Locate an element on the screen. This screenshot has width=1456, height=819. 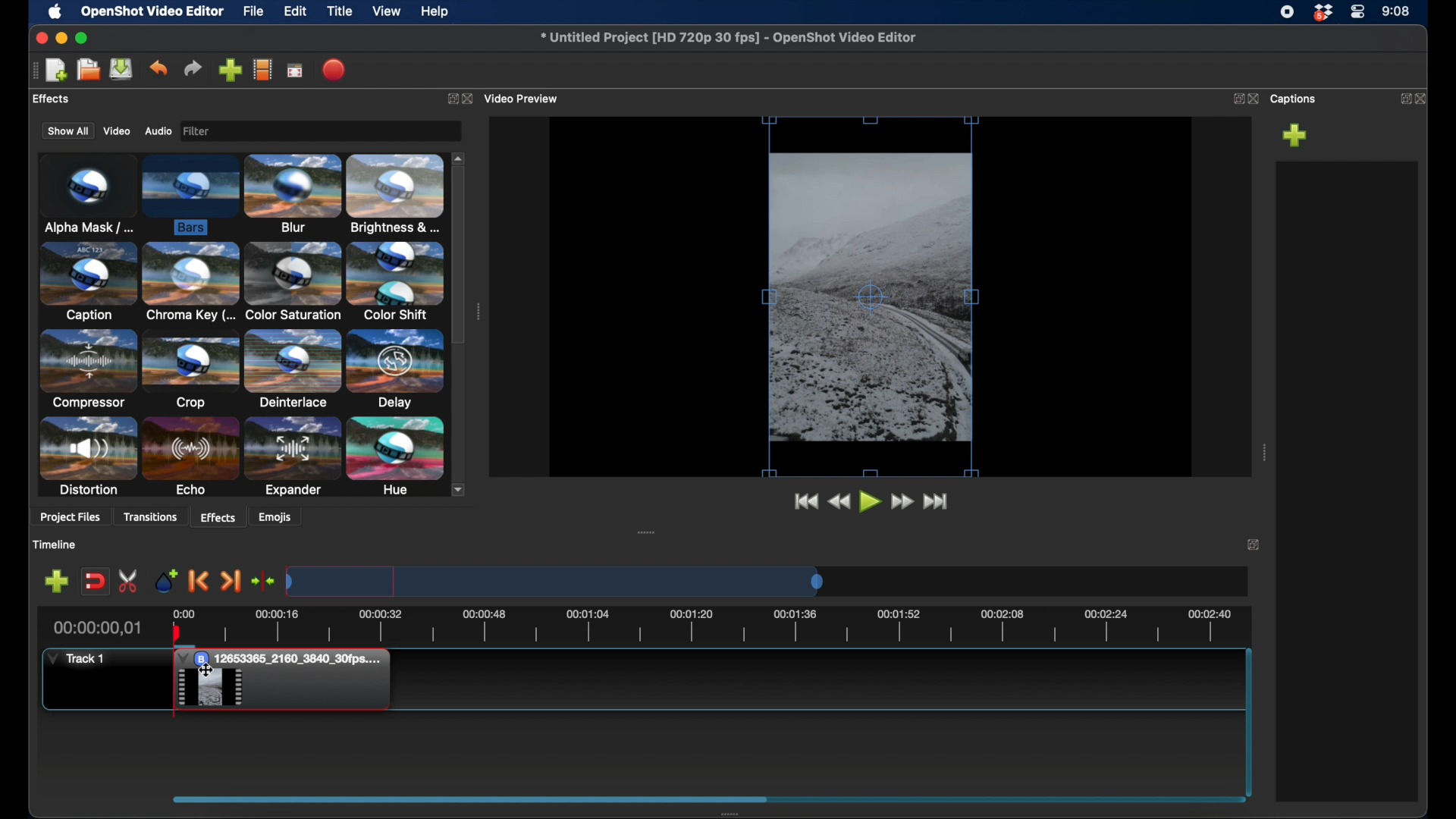
add marker is located at coordinates (56, 582).